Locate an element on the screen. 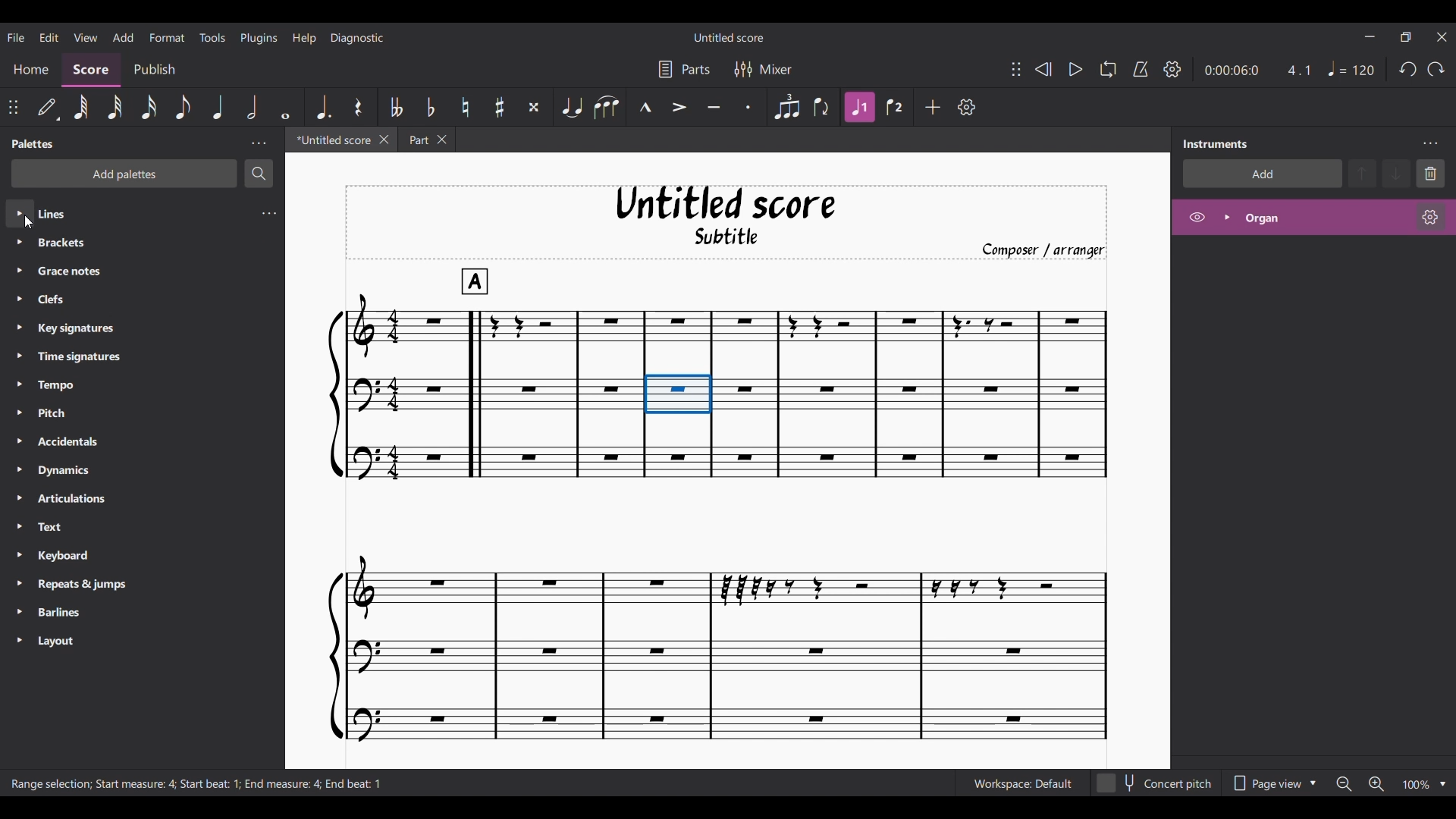 This screenshot has height=819, width=1456. Close interface is located at coordinates (1442, 37).